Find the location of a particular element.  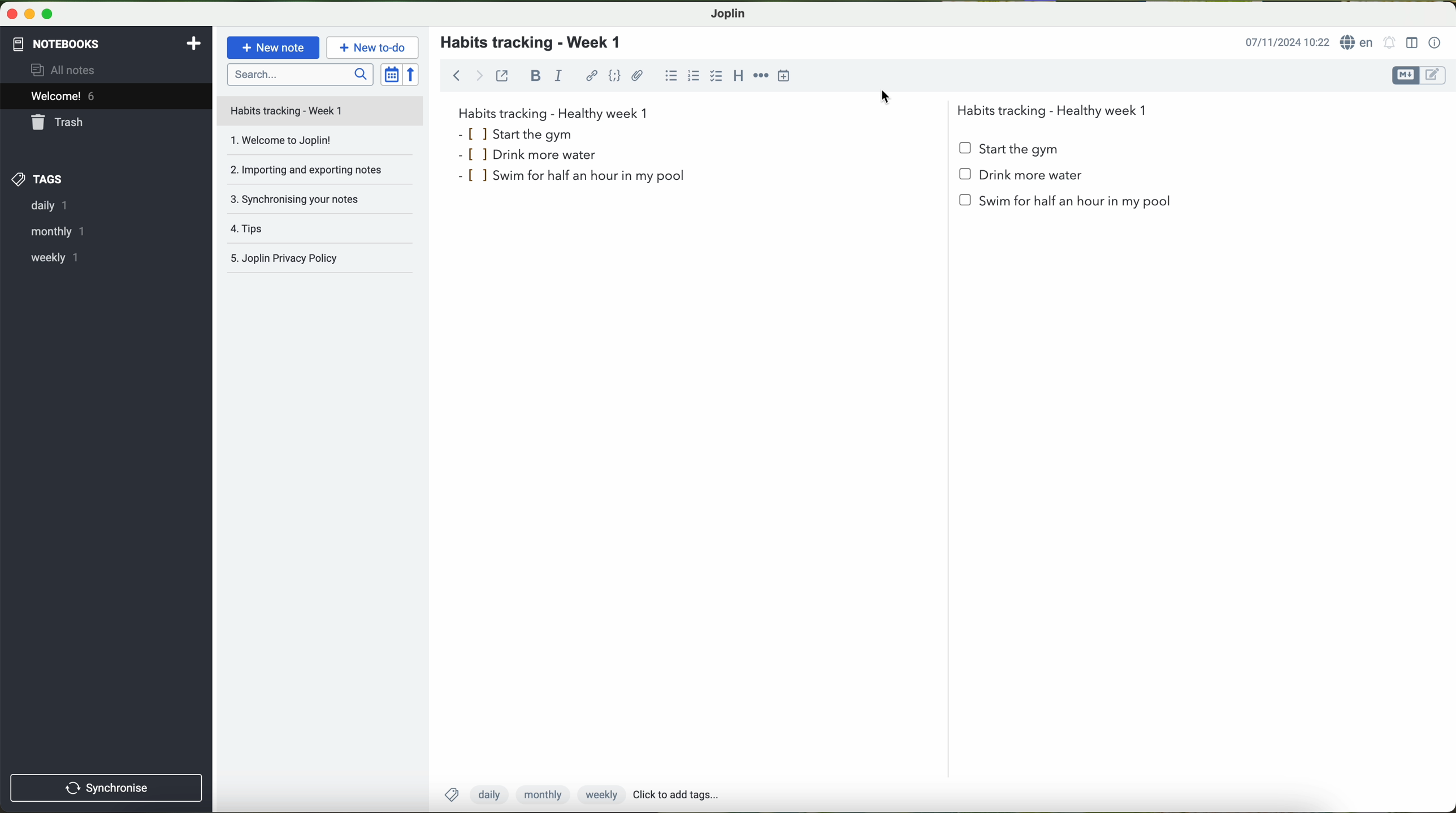

language is located at coordinates (1358, 42).